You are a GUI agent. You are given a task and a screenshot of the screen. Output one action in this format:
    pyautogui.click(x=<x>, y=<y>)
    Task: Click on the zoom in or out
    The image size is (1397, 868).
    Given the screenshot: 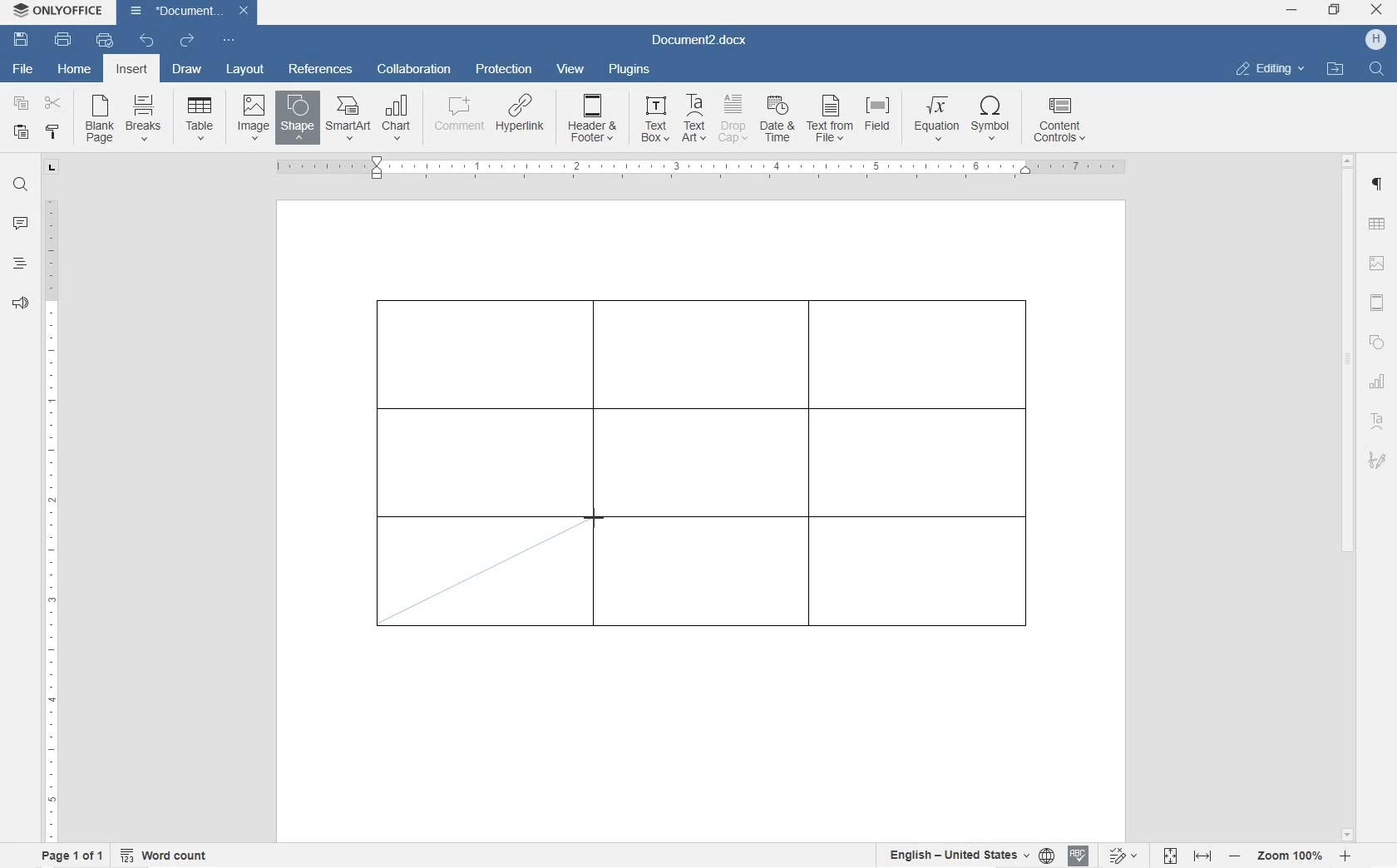 What is the action you would take?
    pyautogui.click(x=1291, y=856)
    